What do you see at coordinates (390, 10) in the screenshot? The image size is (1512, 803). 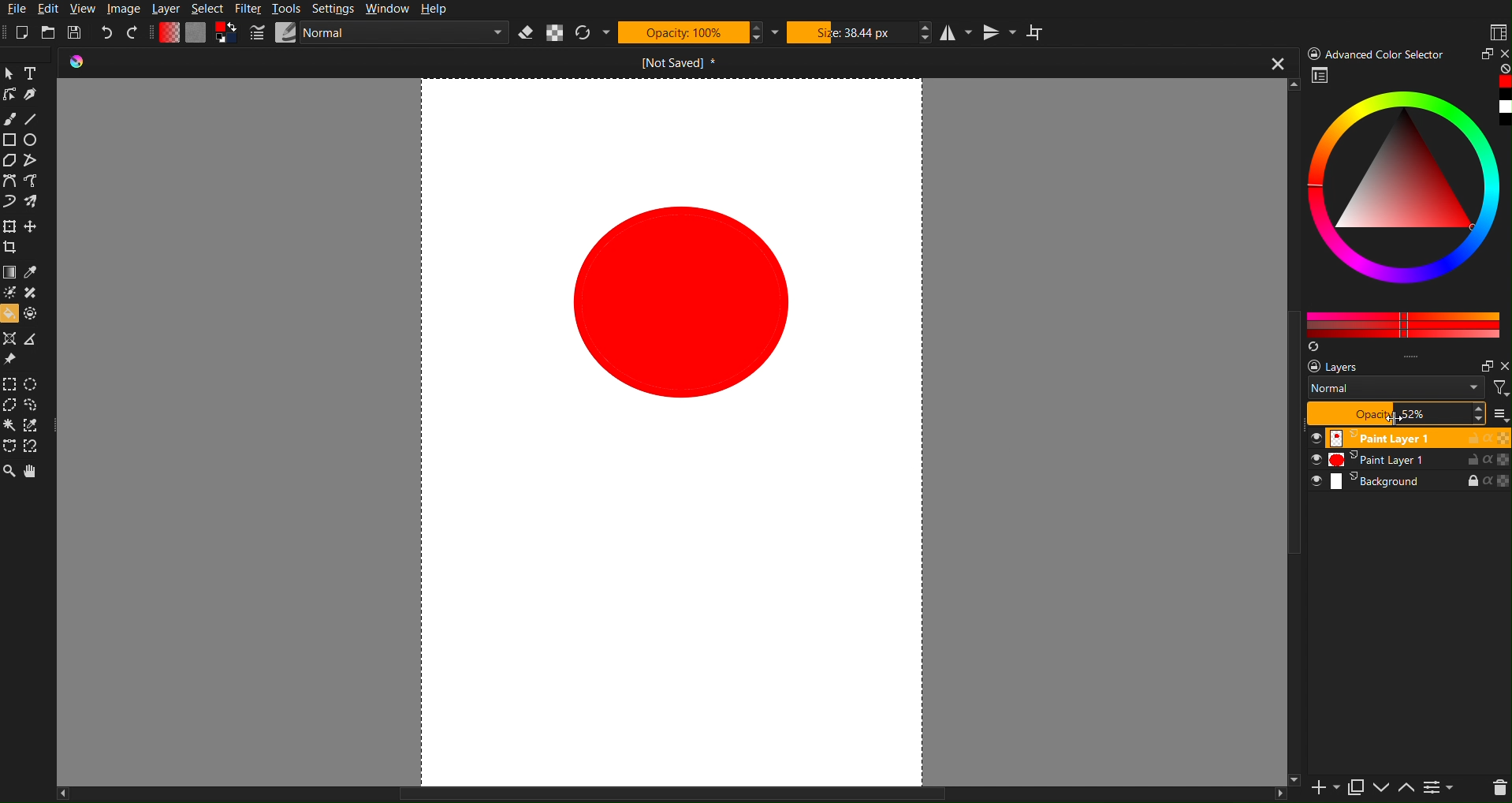 I see `Window` at bounding box center [390, 10].